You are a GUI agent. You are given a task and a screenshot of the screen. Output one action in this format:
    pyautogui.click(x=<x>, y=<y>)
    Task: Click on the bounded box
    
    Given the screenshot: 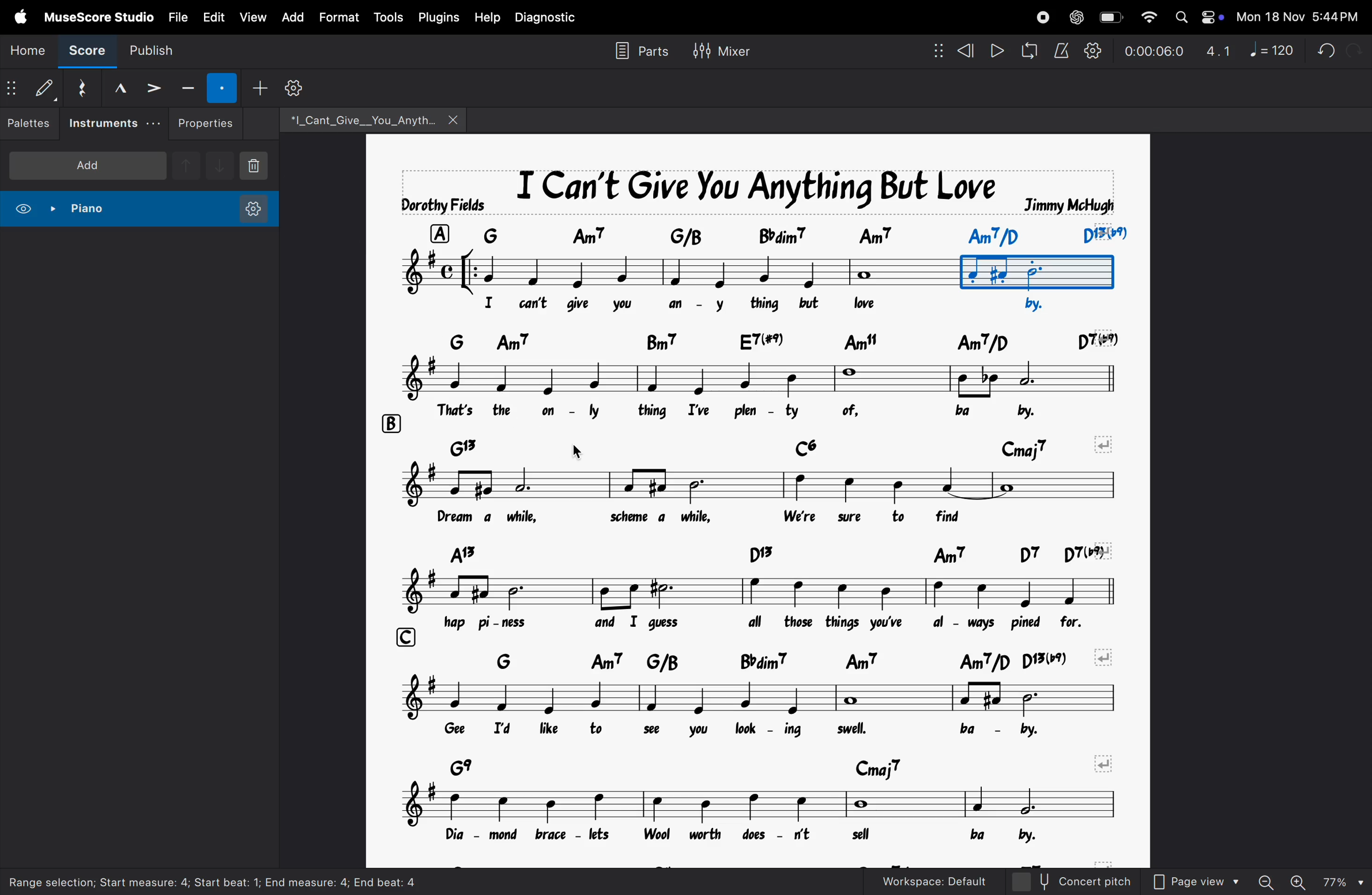 What is the action you would take?
    pyautogui.click(x=1036, y=272)
    